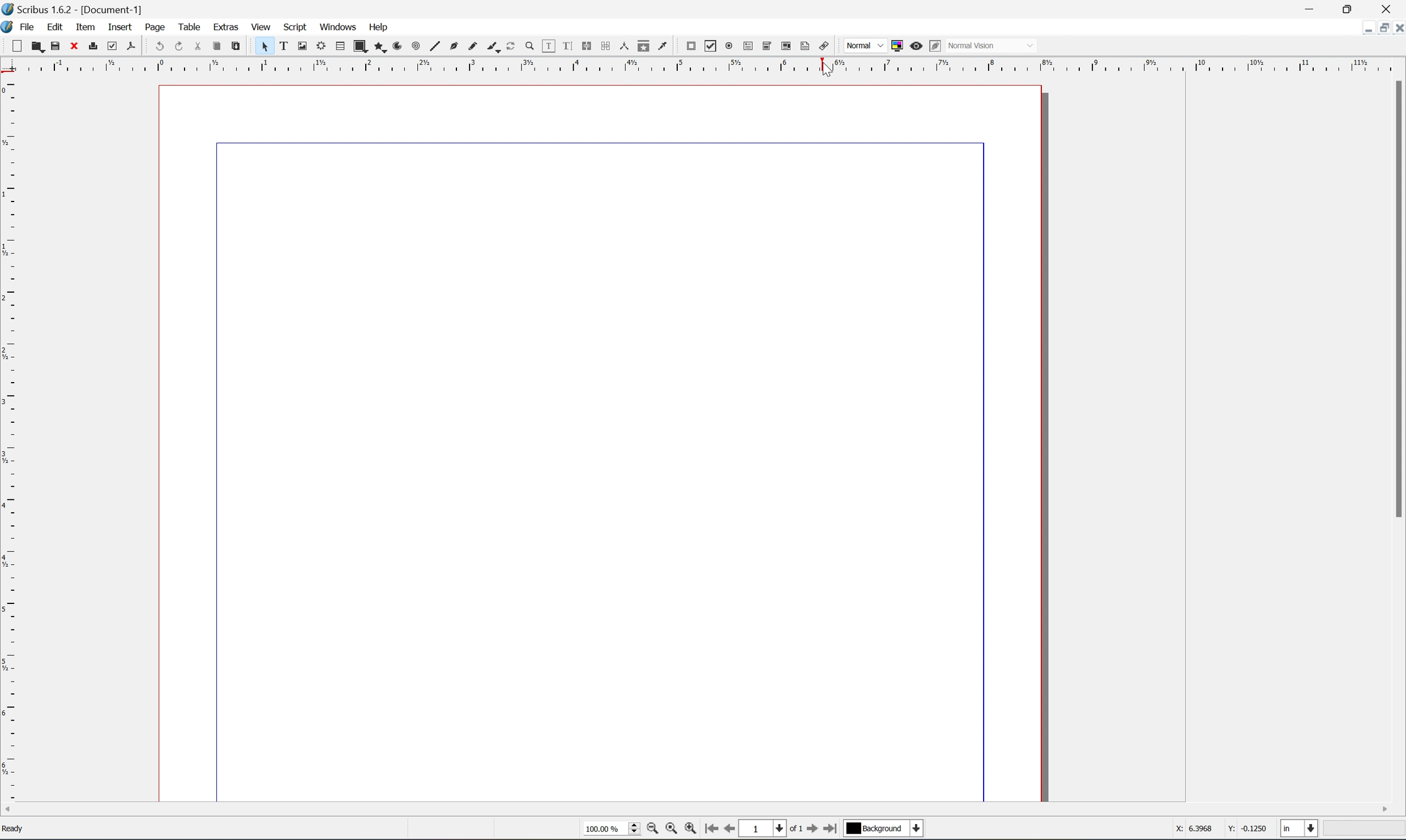 The height and width of the screenshot is (840, 1406). What do you see at coordinates (1390, 10) in the screenshot?
I see `close` at bounding box center [1390, 10].